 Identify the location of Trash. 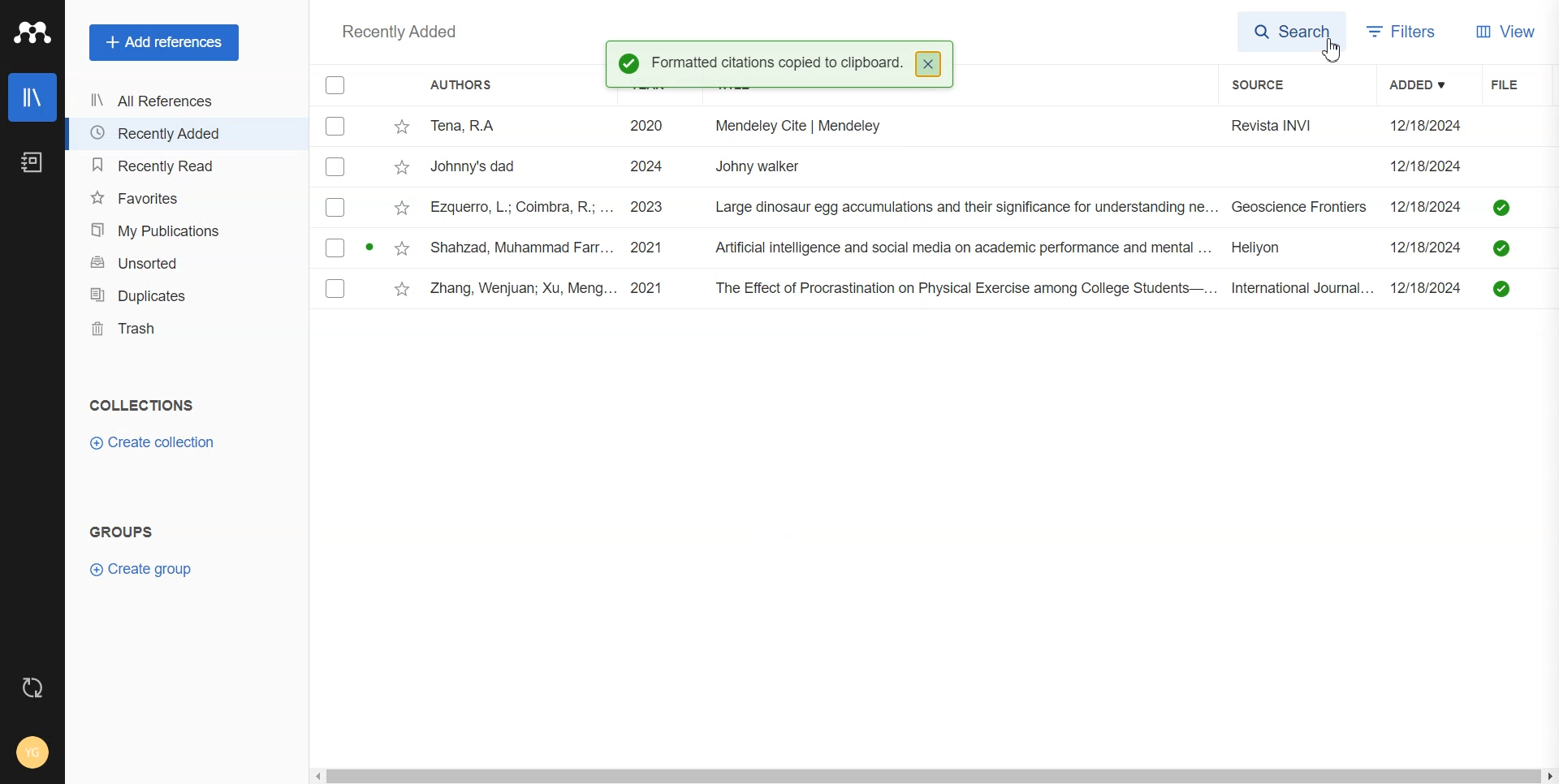
(188, 328).